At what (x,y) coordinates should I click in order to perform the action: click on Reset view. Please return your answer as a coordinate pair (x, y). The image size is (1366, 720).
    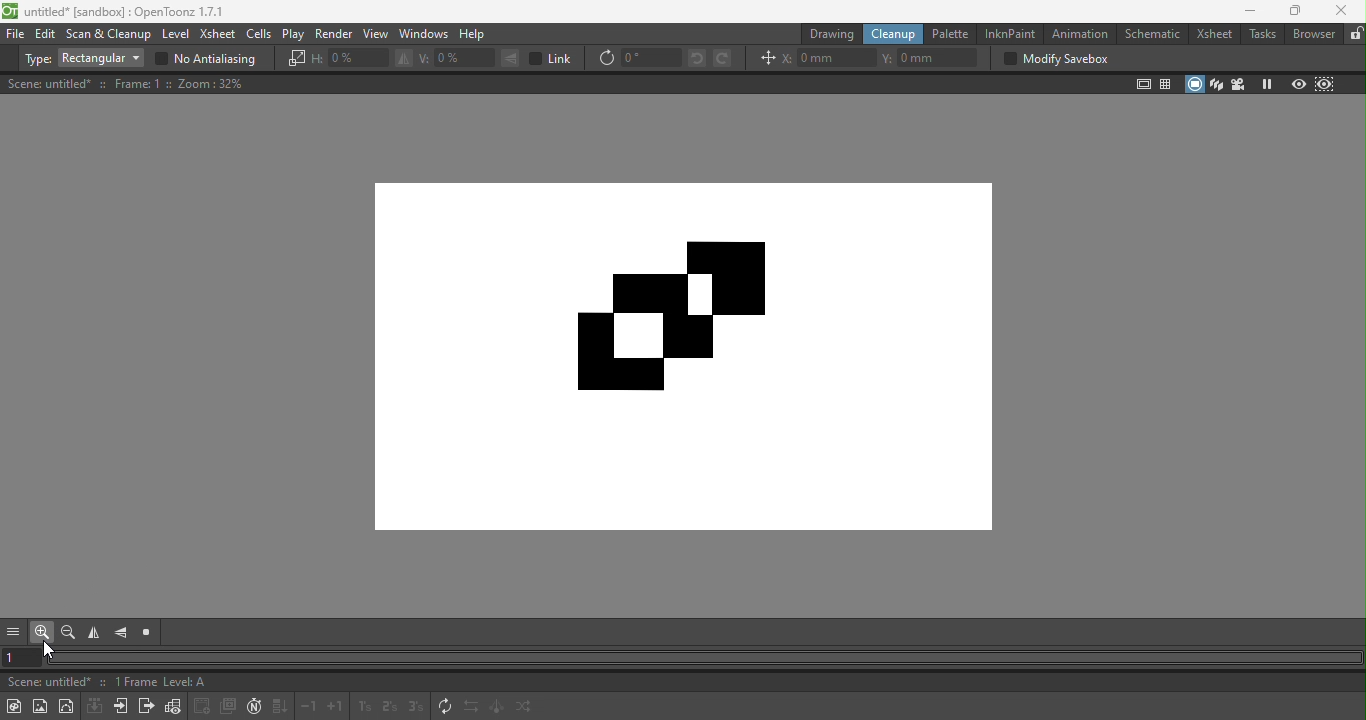
    Looking at the image, I should click on (147, 634).